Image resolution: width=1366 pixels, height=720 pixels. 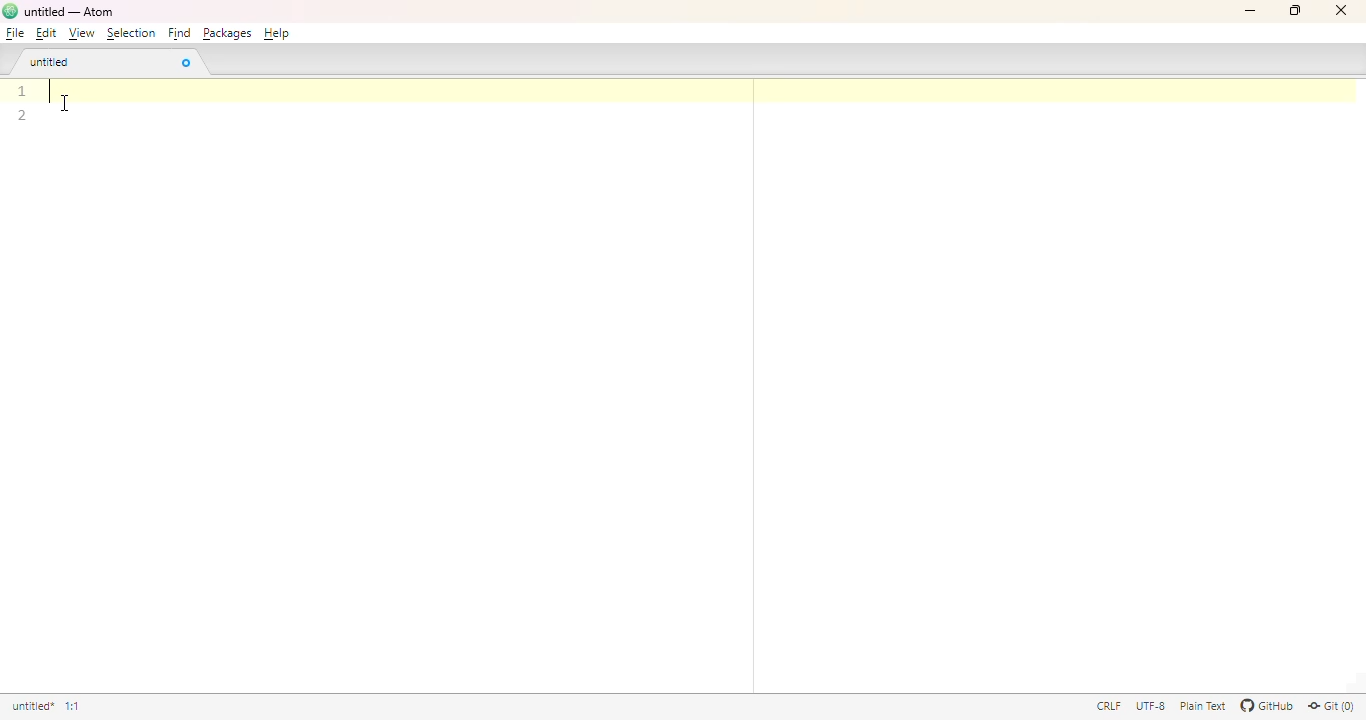 I want to click on find, so click(x=179, y=33).